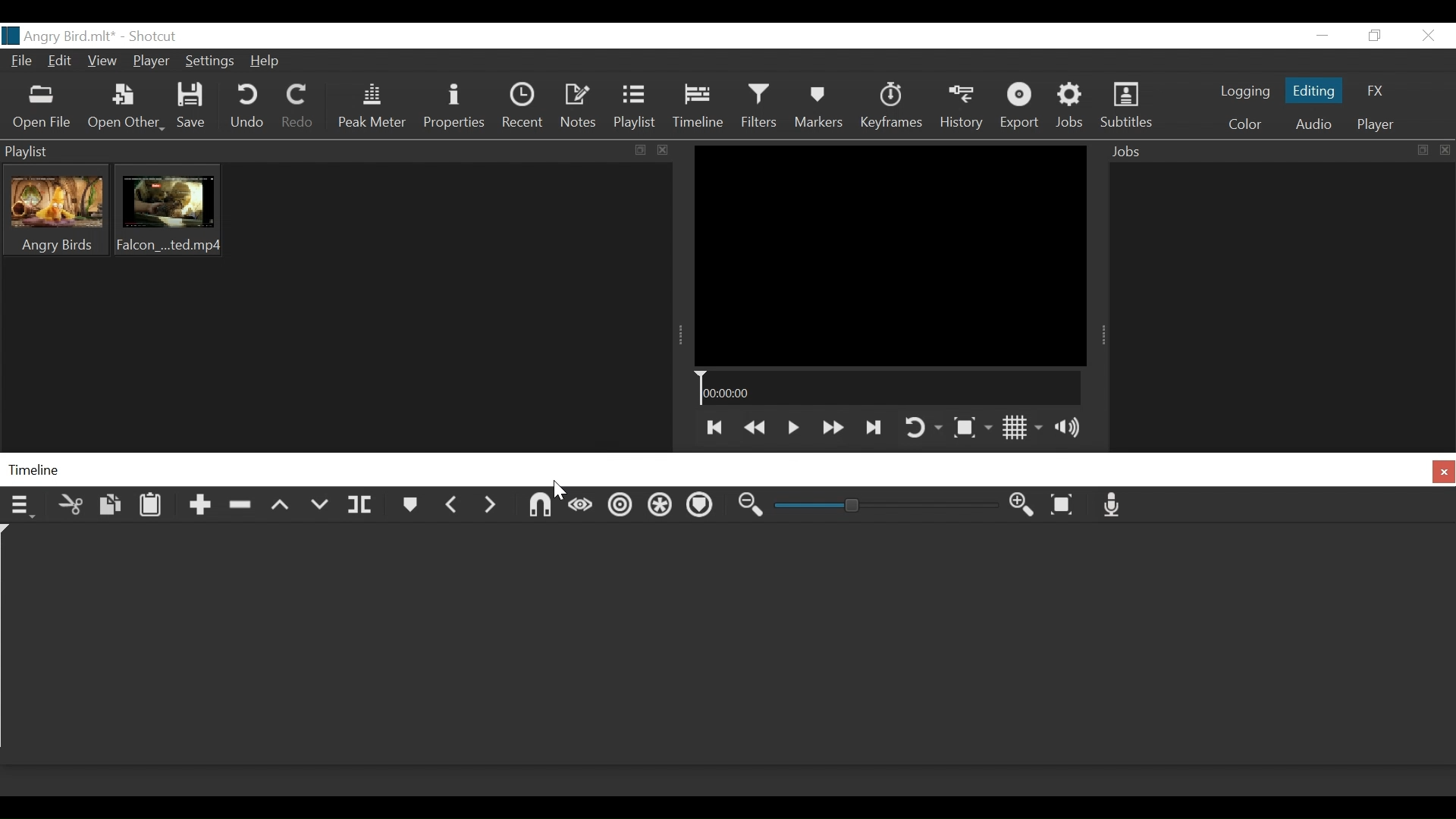 Image resolution: width=1456 pixels, height=819 pixels. I want to click on Edit, so click(61, 61).